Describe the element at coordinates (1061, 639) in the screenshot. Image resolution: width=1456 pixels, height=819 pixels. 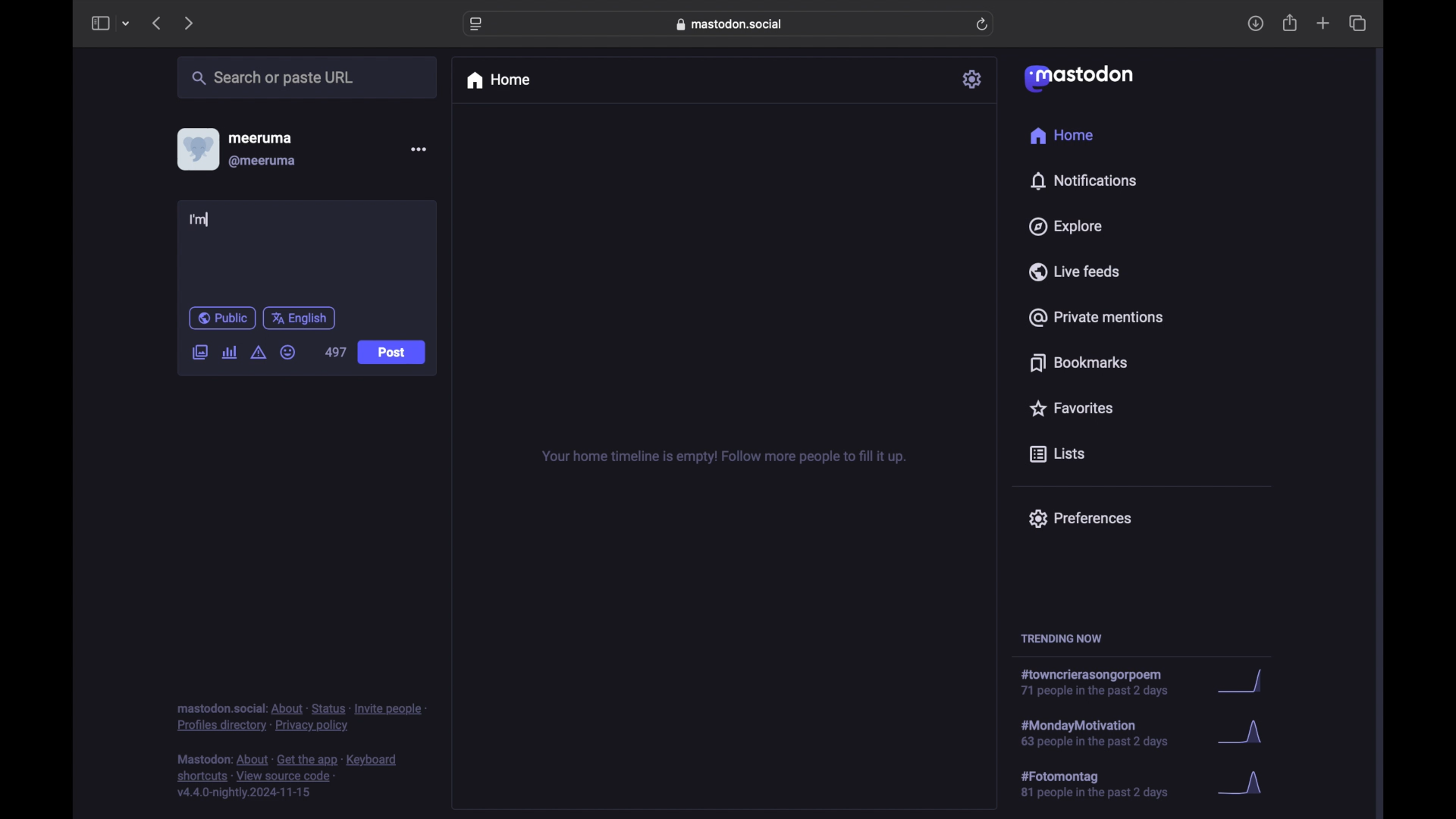
I see `trending now` at that location.